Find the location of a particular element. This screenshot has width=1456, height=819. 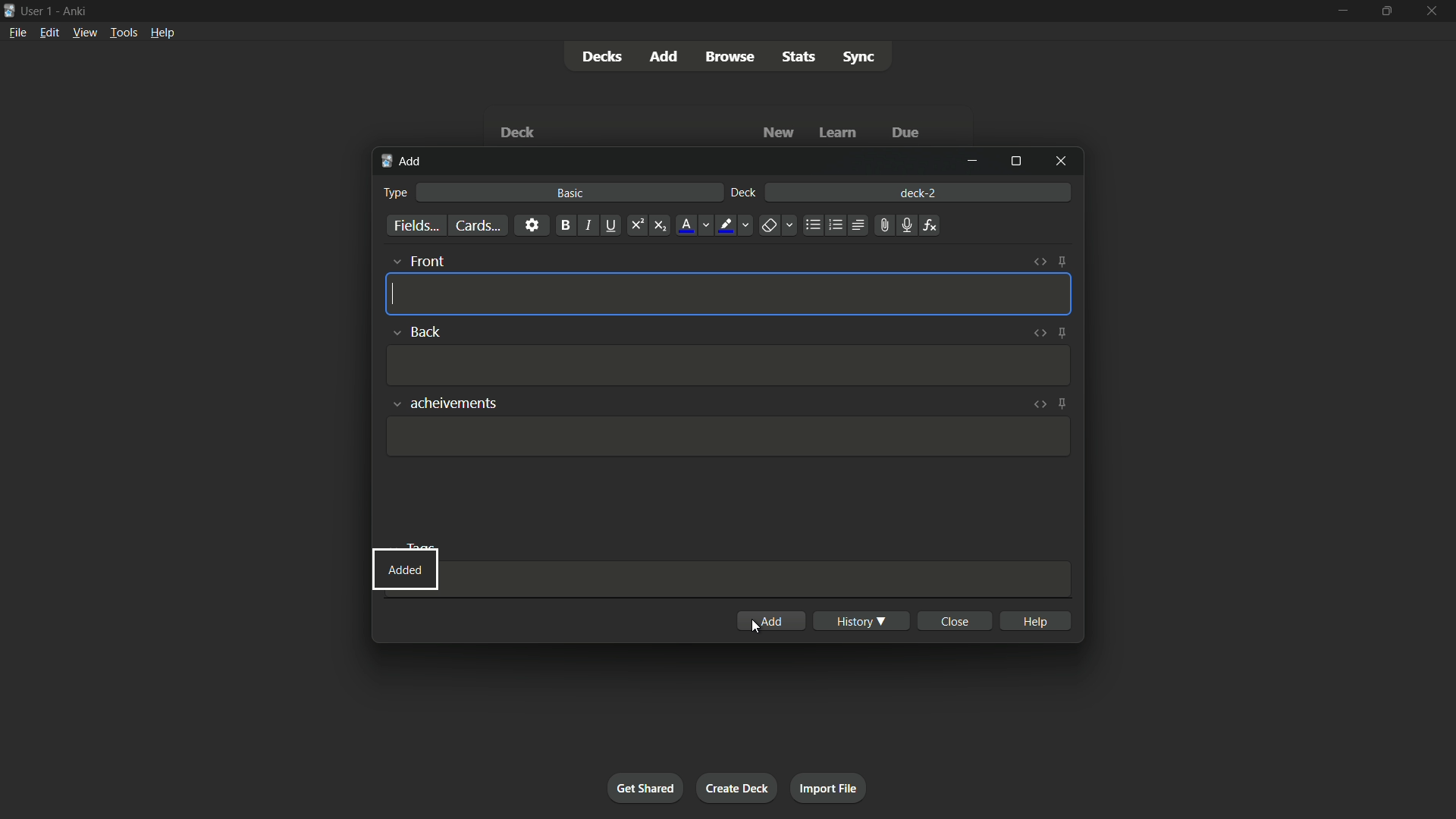

toggle sticky is located at coordinates (1062, 263).